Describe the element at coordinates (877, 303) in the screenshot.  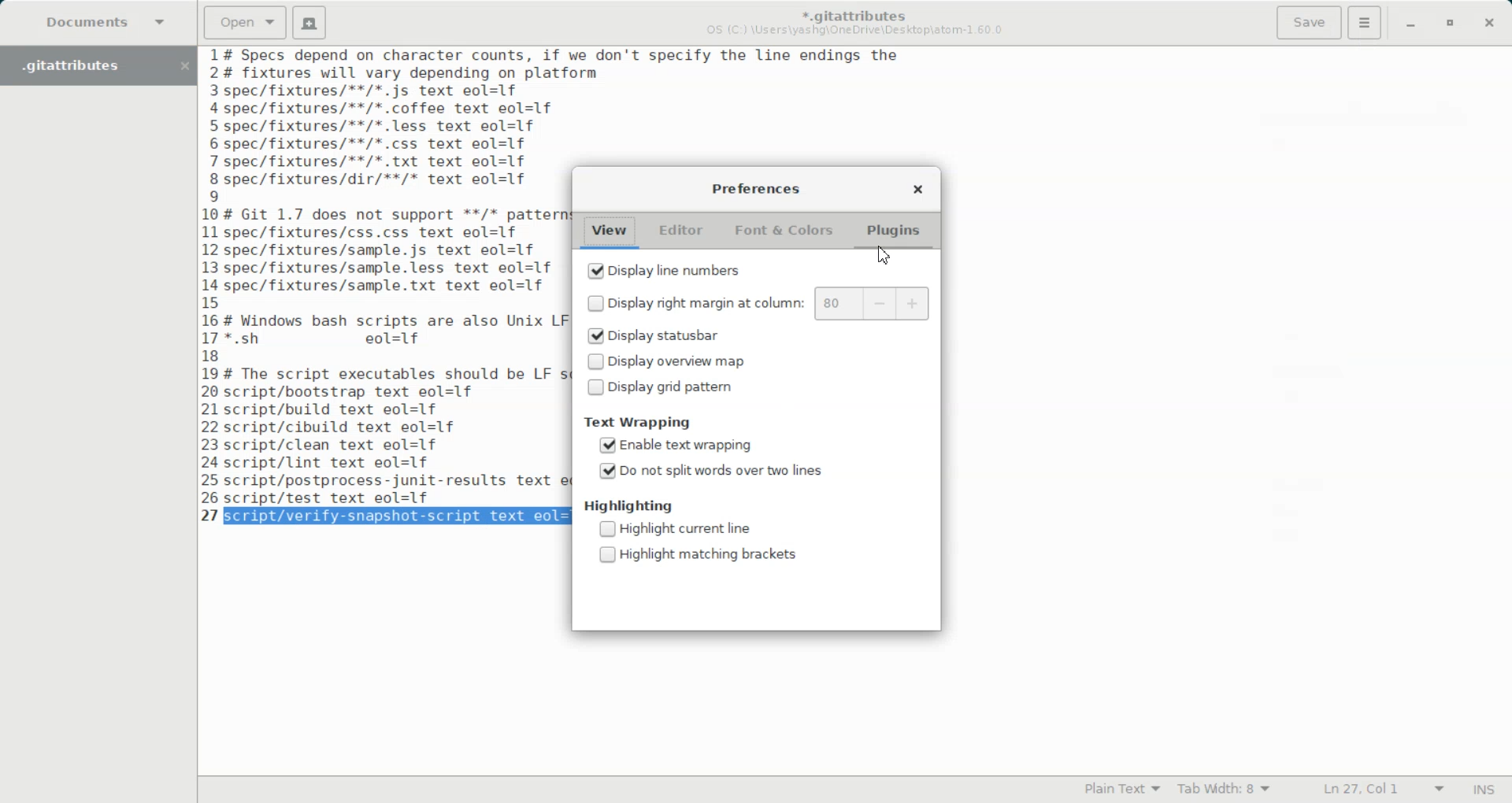
I see `decrease margin` at that location.